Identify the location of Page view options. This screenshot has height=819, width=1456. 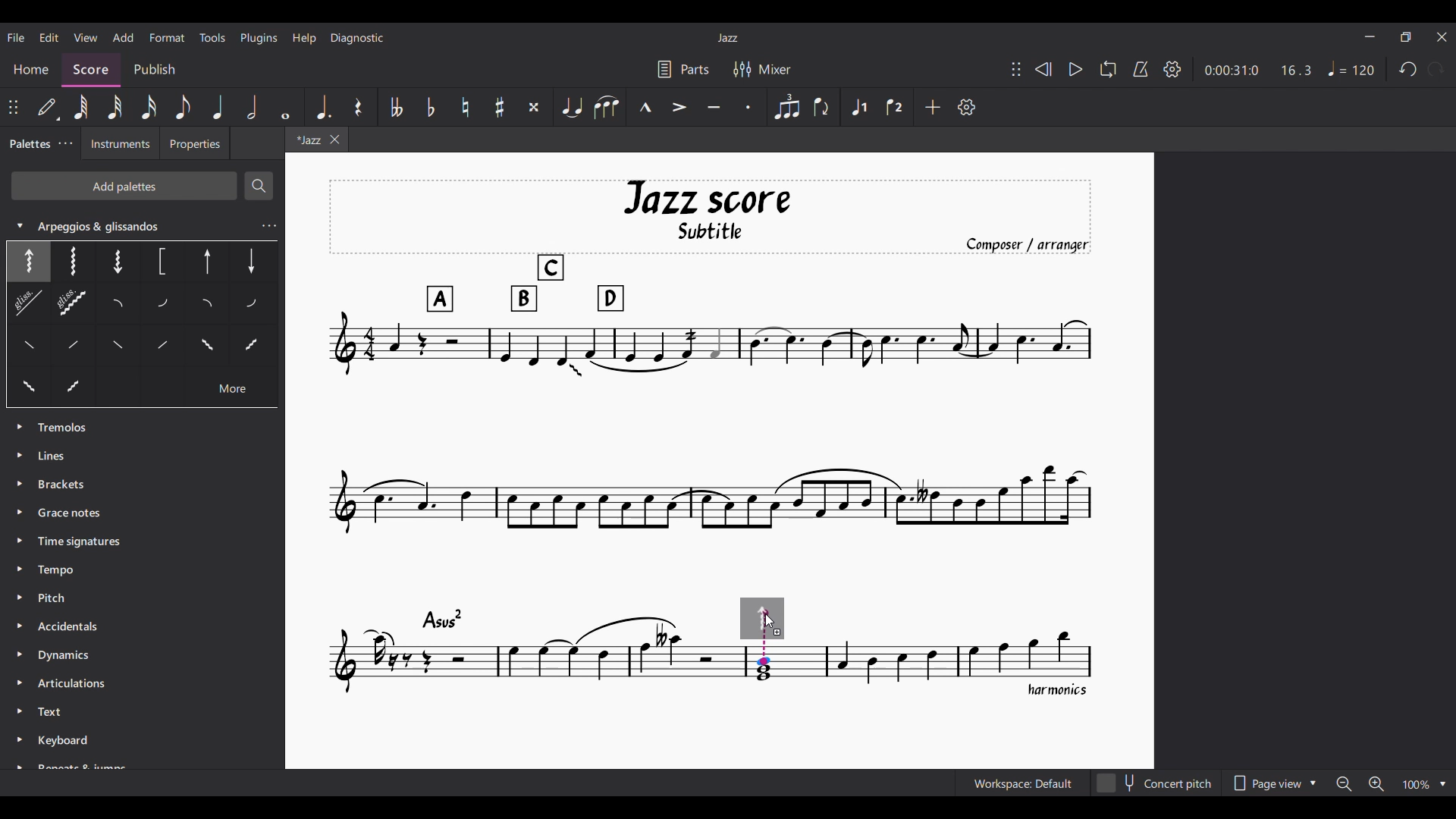
(1276, 783).